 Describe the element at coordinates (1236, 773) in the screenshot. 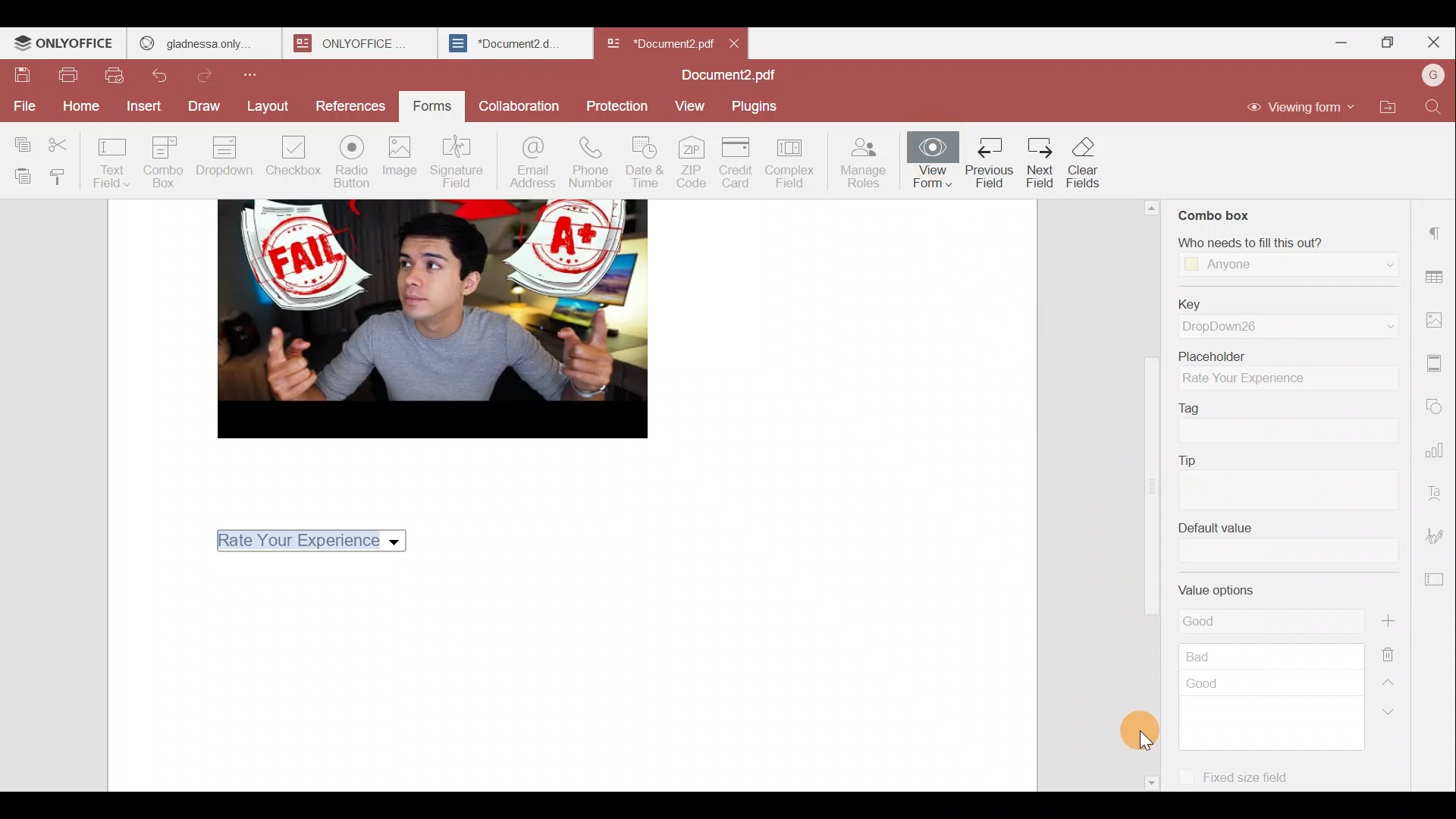

I see `Fixed size field` at that location.